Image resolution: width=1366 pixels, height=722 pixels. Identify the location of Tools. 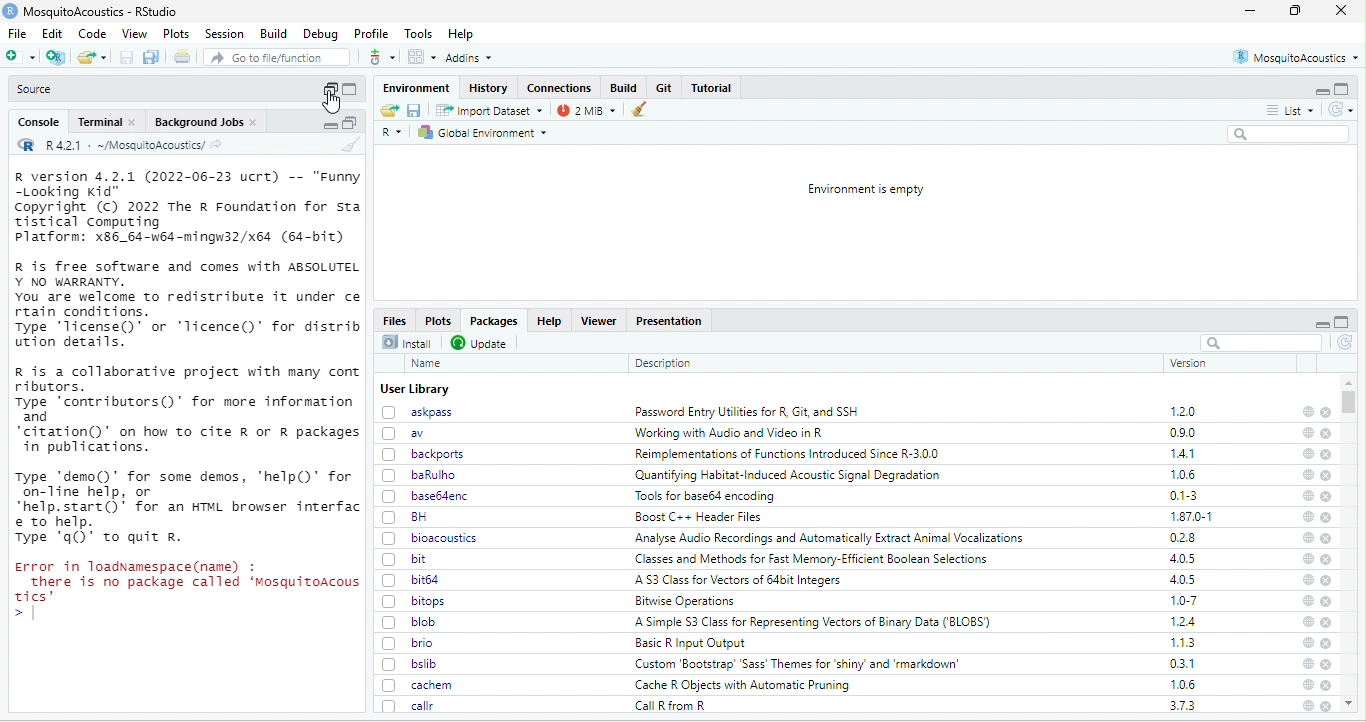
(419, 34).